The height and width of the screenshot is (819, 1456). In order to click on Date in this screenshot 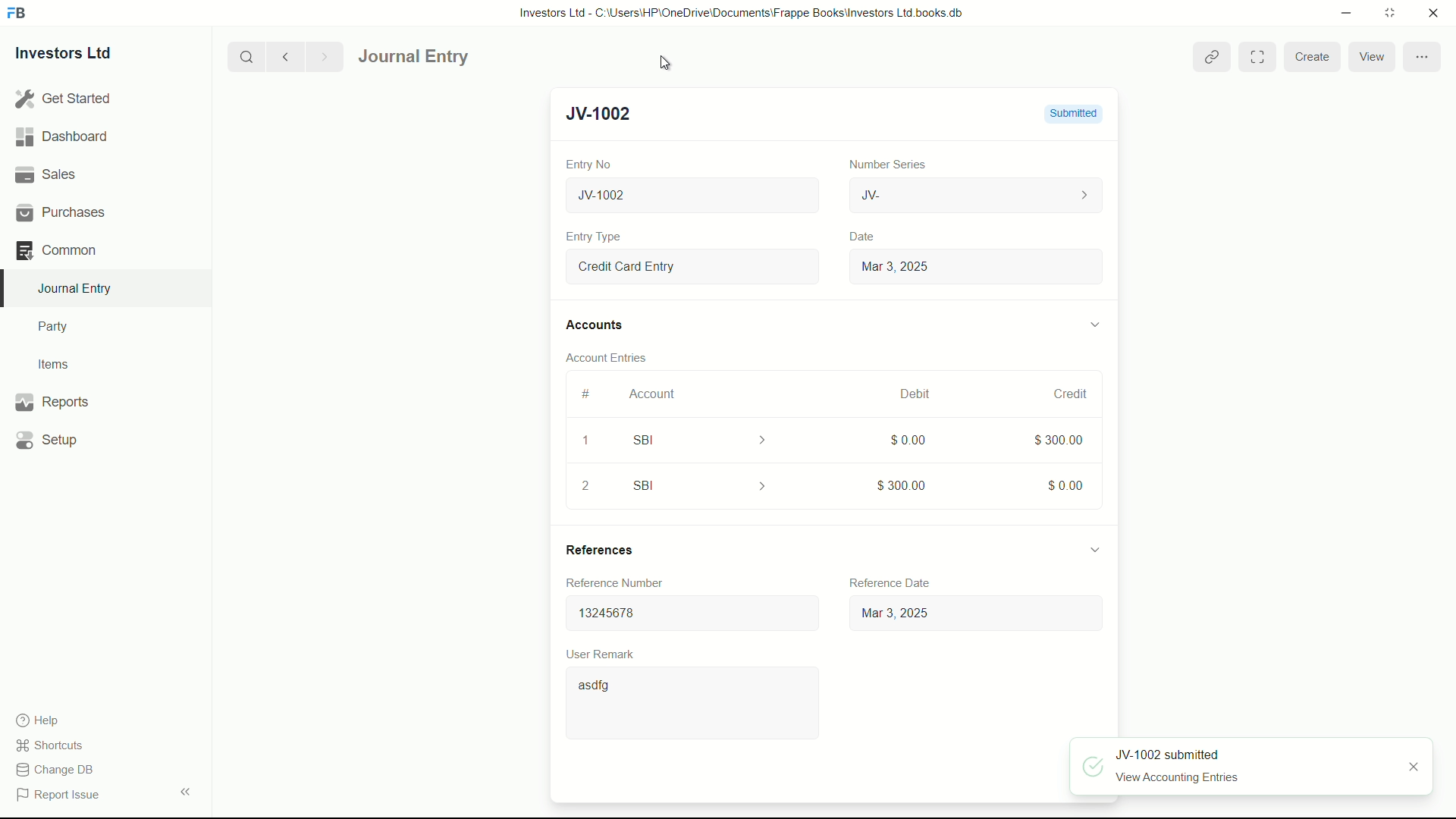, I will do `click(864, 237)`.